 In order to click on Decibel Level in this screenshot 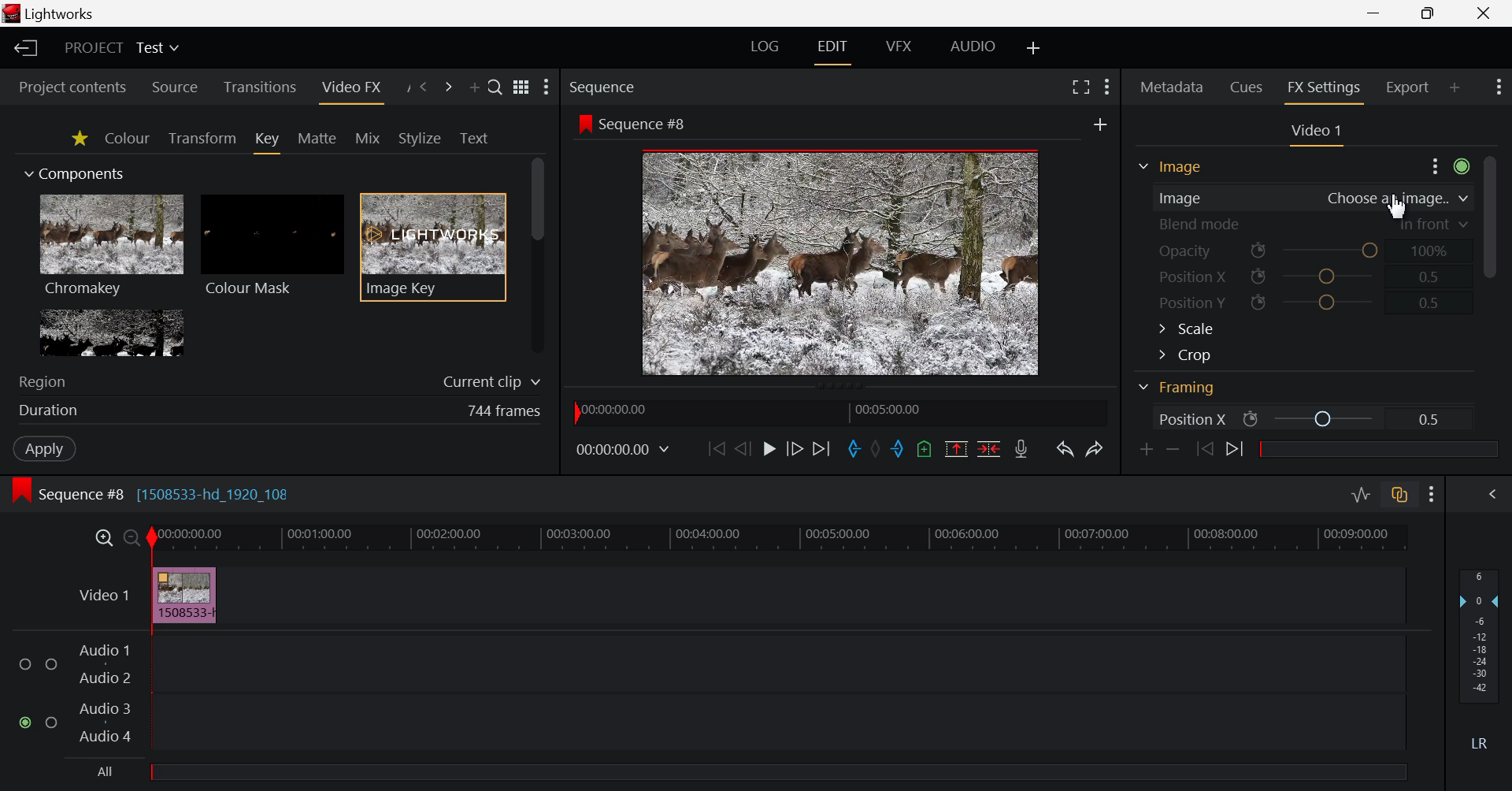, I will do `click(1480, 658)`.